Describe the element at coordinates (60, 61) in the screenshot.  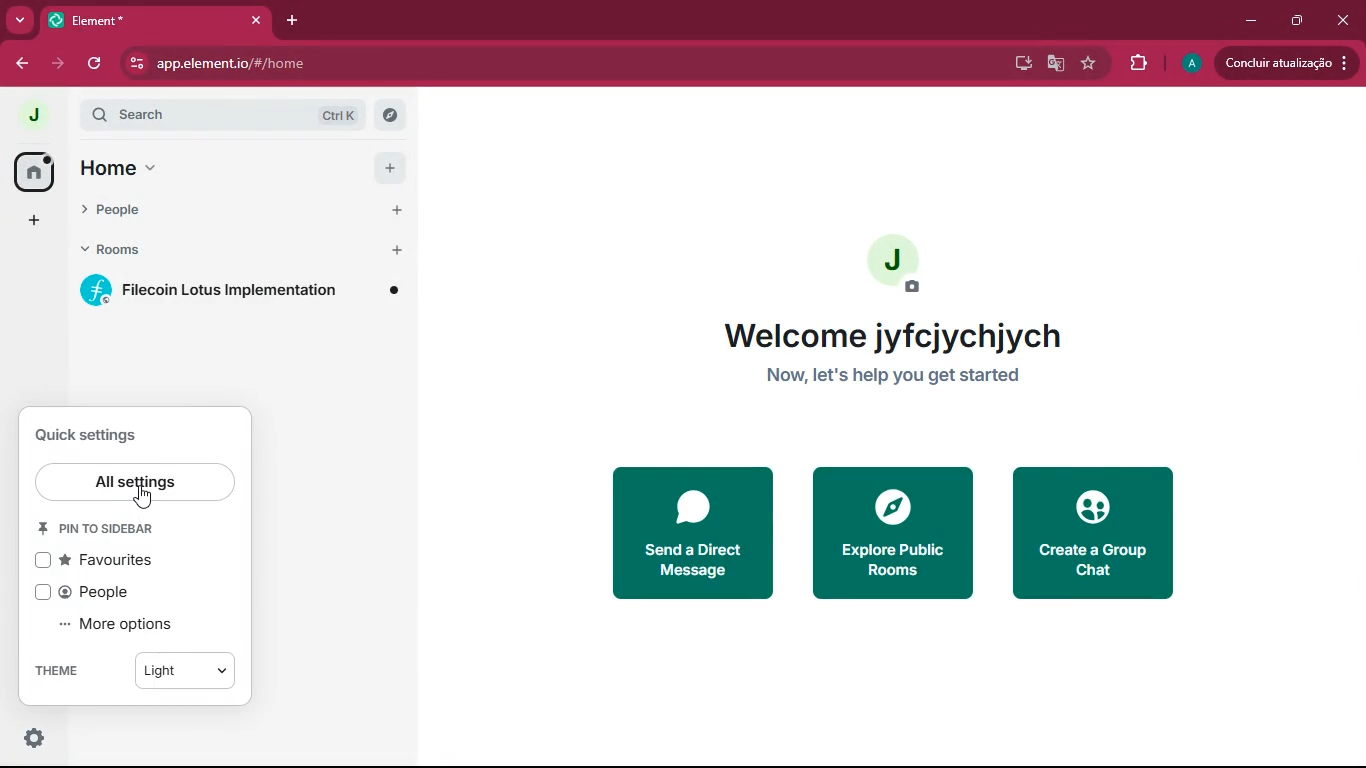
I see `forward` at that location.